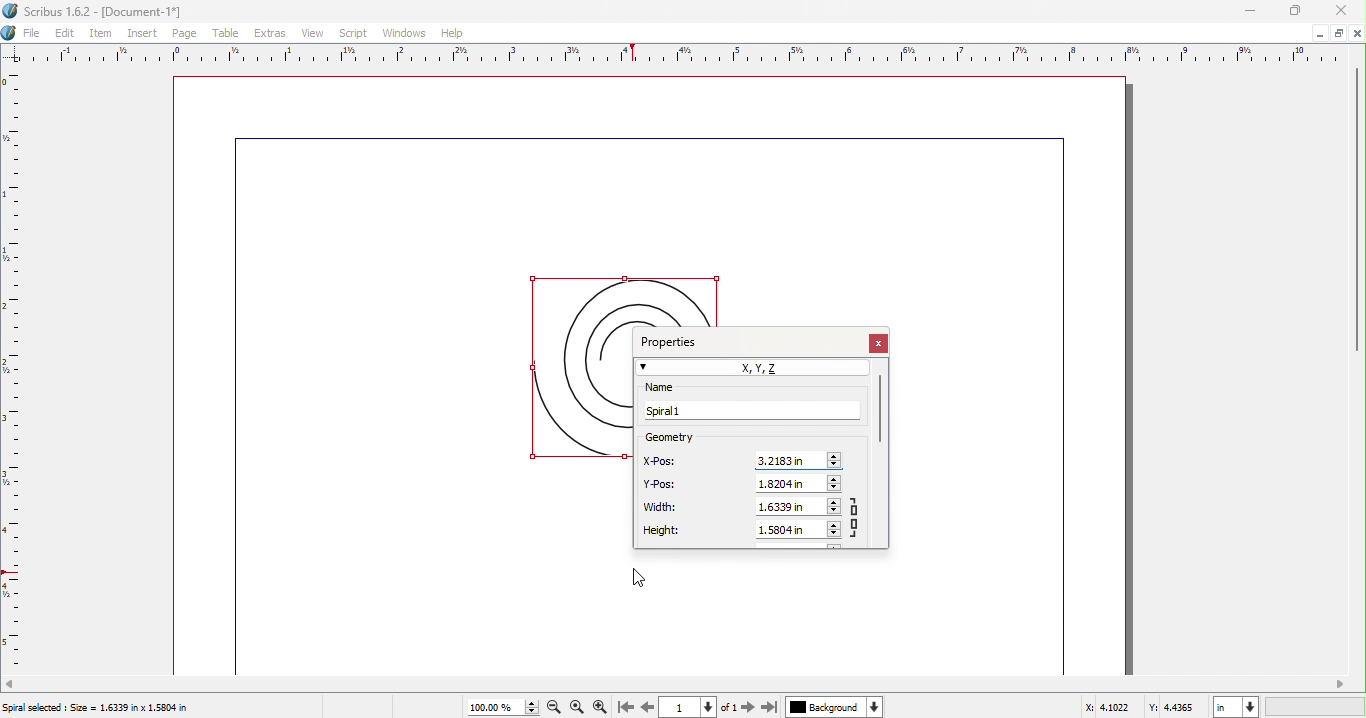 This screenshot has height=718, width=1366. What do you see at coordinates (880, 409) in the screenshot?
I see `Scroll ba` at bounding box center [880, 409].